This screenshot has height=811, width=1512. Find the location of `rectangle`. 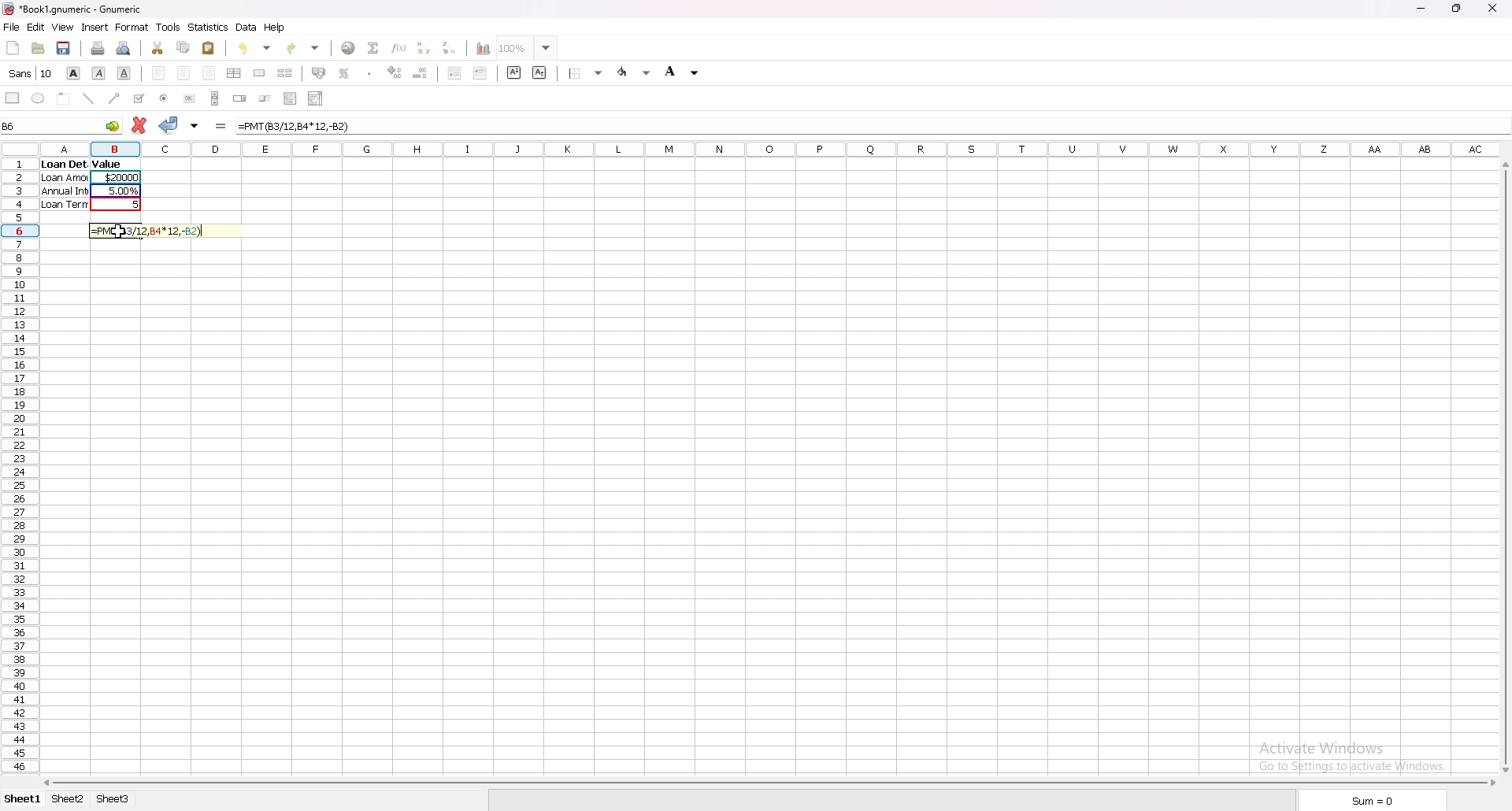

rectangle is located at coordinates (13, 97).